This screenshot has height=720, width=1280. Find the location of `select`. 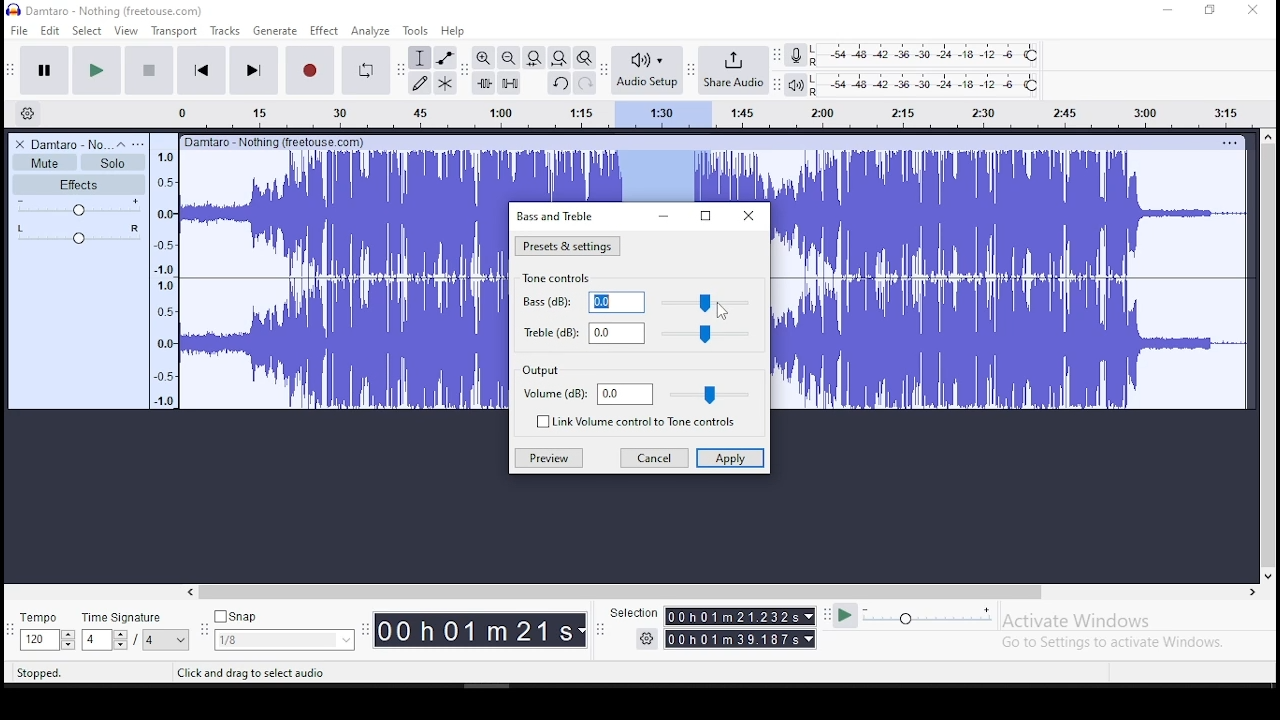

select is located at coordinates (89, 30).